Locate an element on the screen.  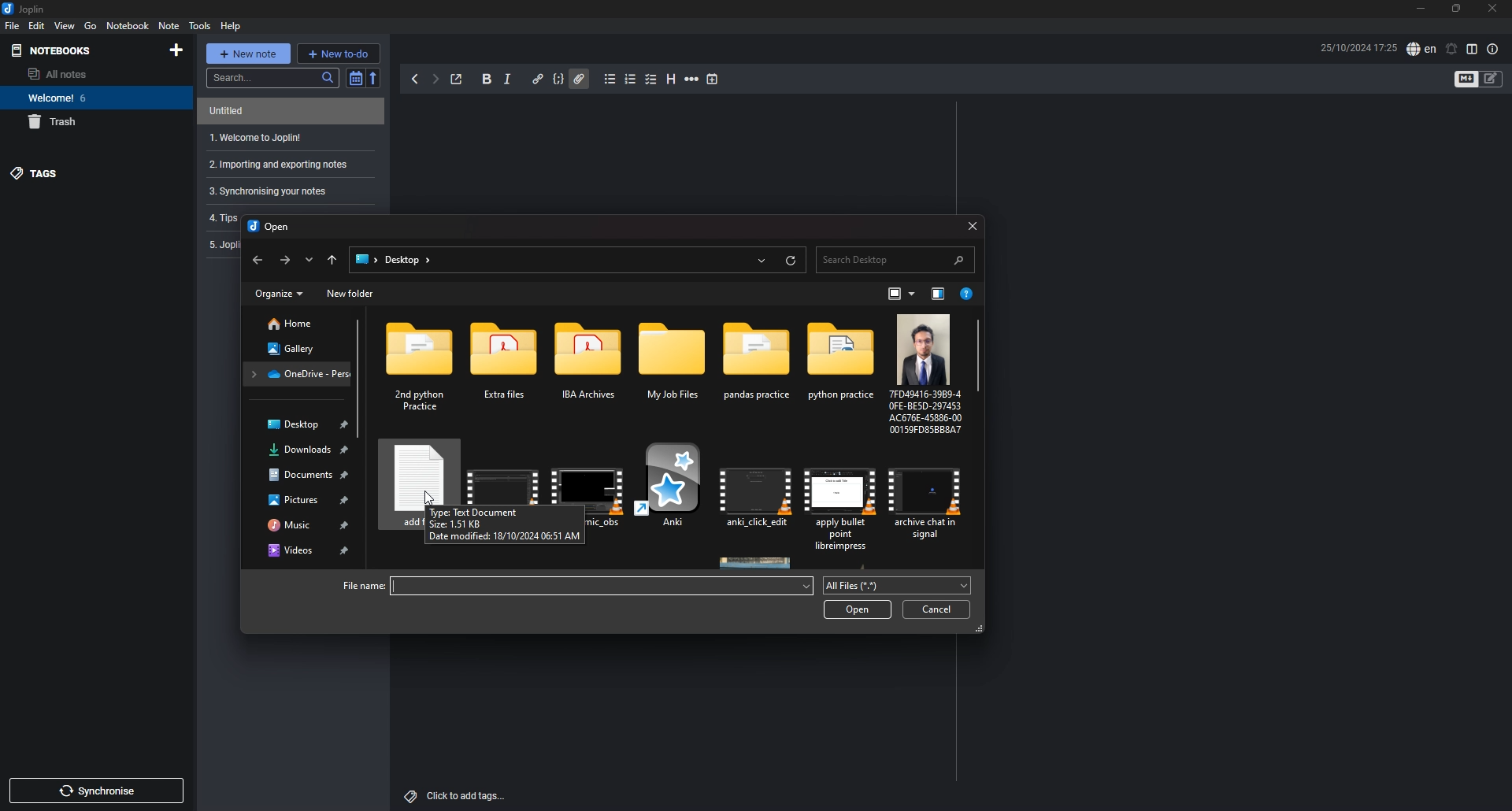
folder is located at coordinates (592, 369).